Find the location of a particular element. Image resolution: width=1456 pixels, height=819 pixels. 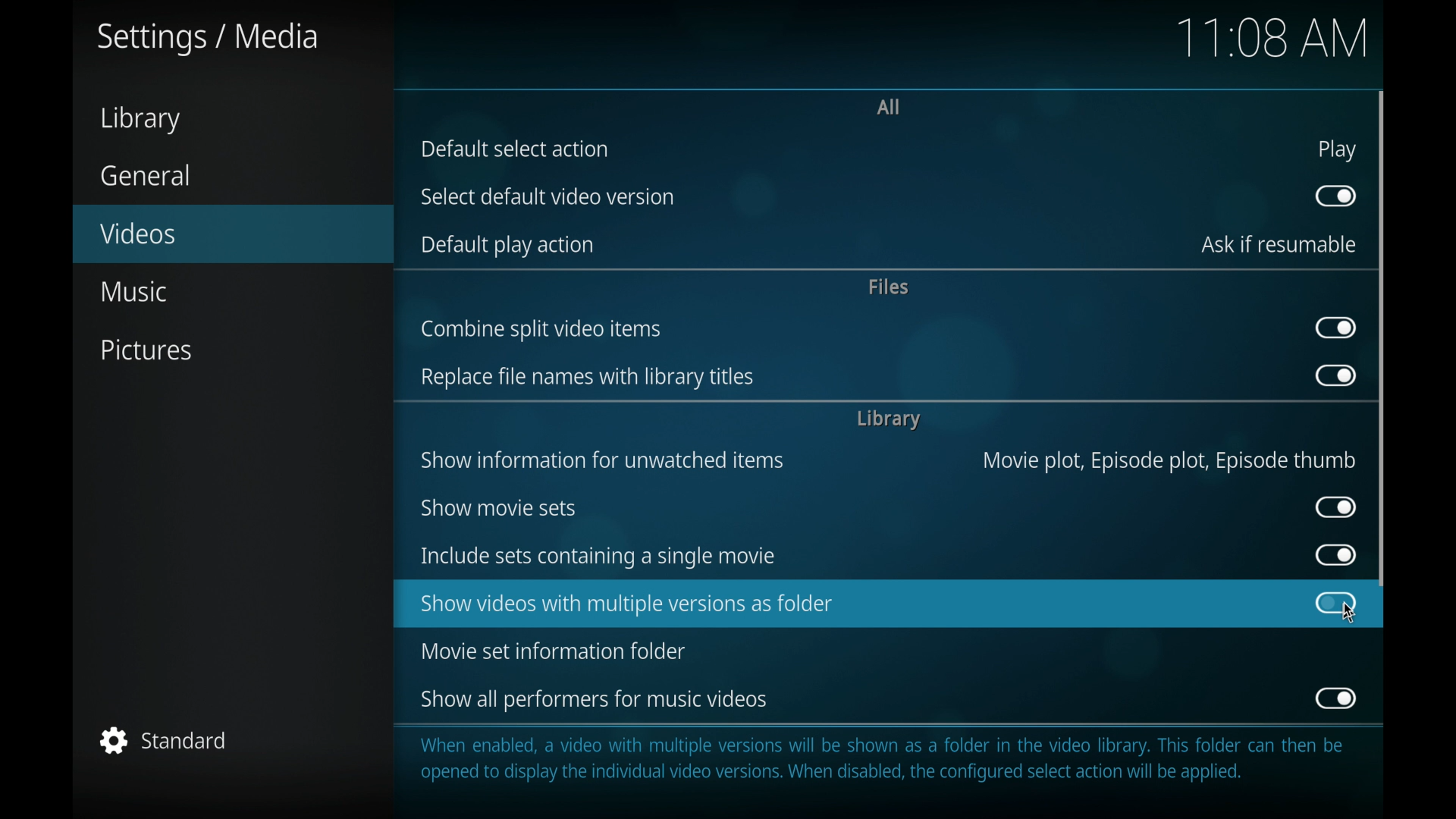

movie plot, episode plot, episode thumb is located at coordinates (1170, 460).